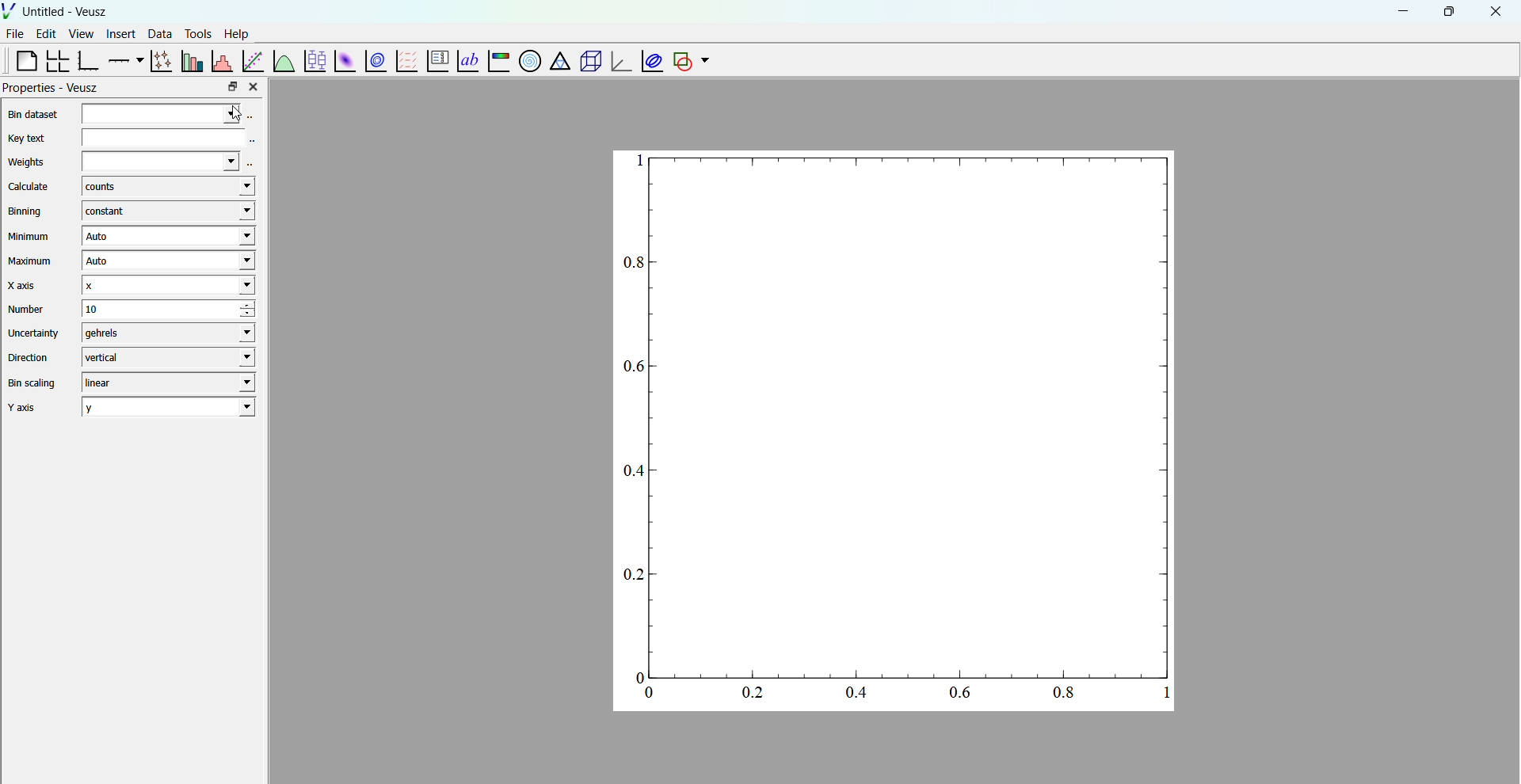  I want to click on Binning, so click(28, 211).